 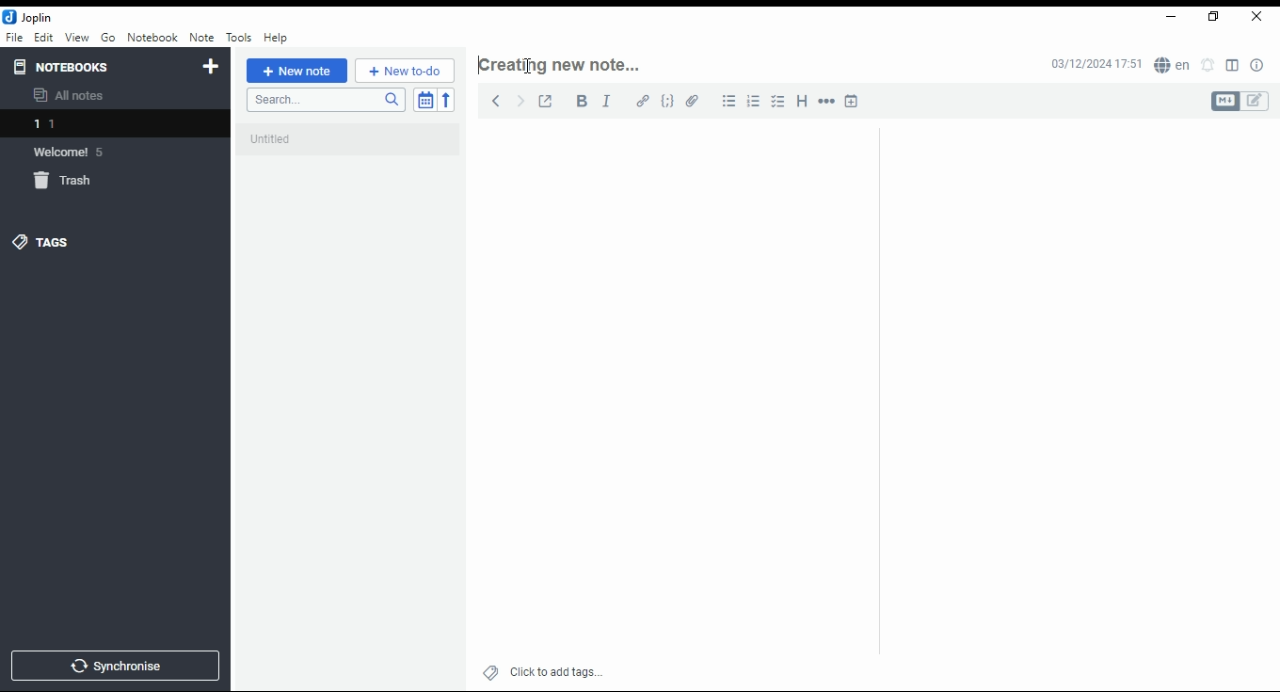 I want to click on toggle editor layout, so click(x=1232, y=66).